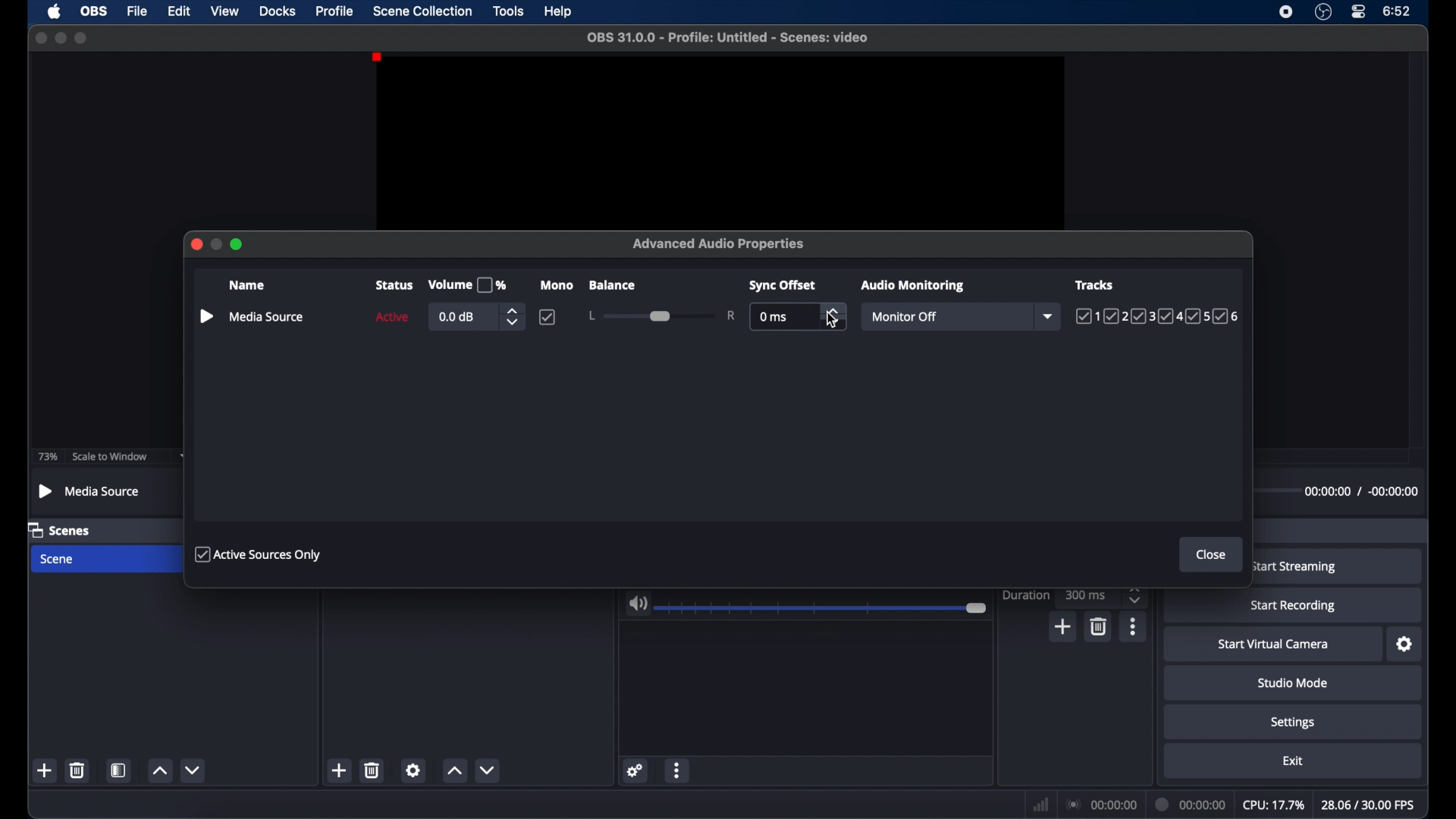 The height and width of the screenshot is (819, 1456). I want to click on mediasource, so click(89, 491).